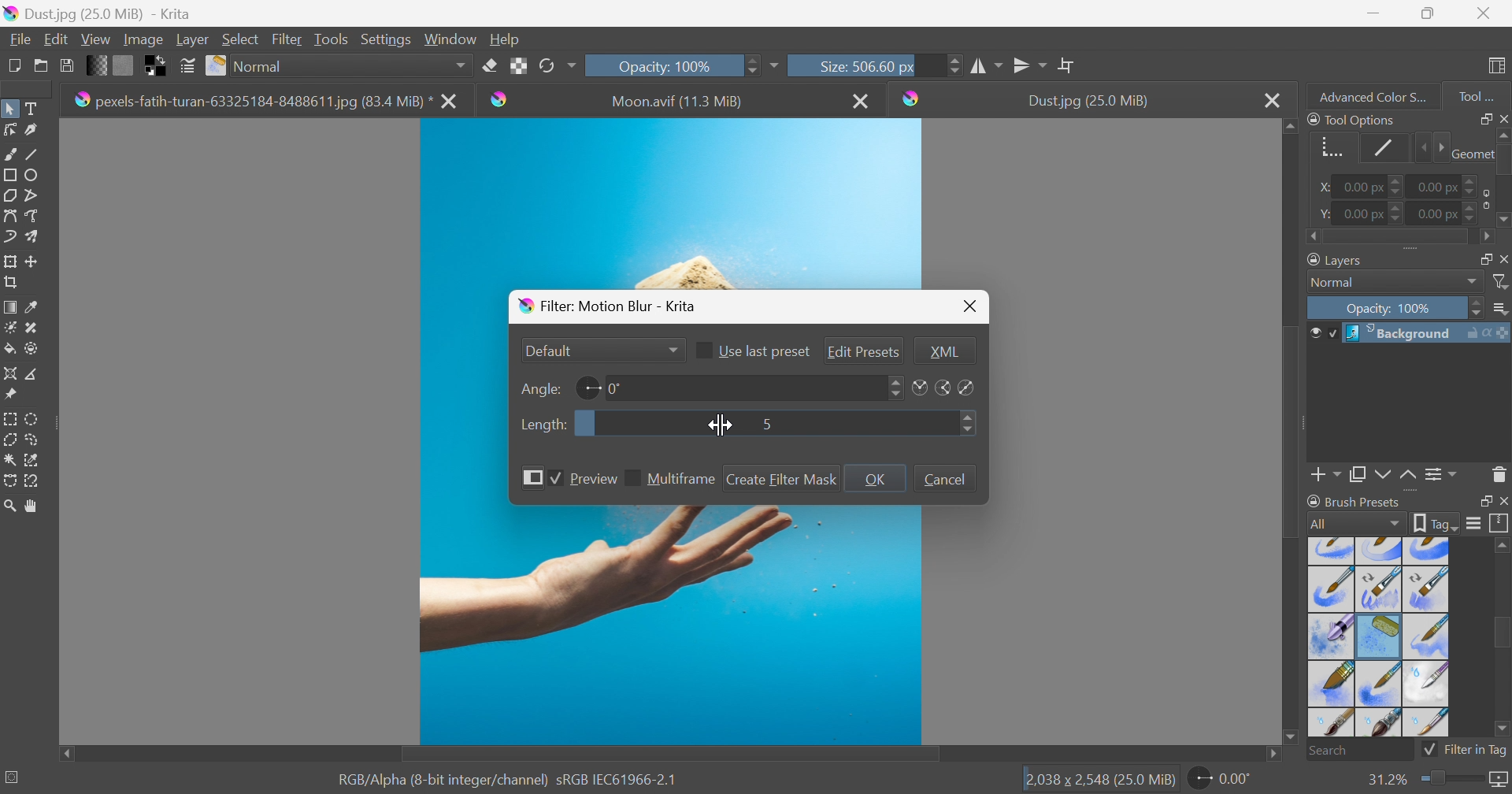  I want to click on Slider, so click(1503, 179).